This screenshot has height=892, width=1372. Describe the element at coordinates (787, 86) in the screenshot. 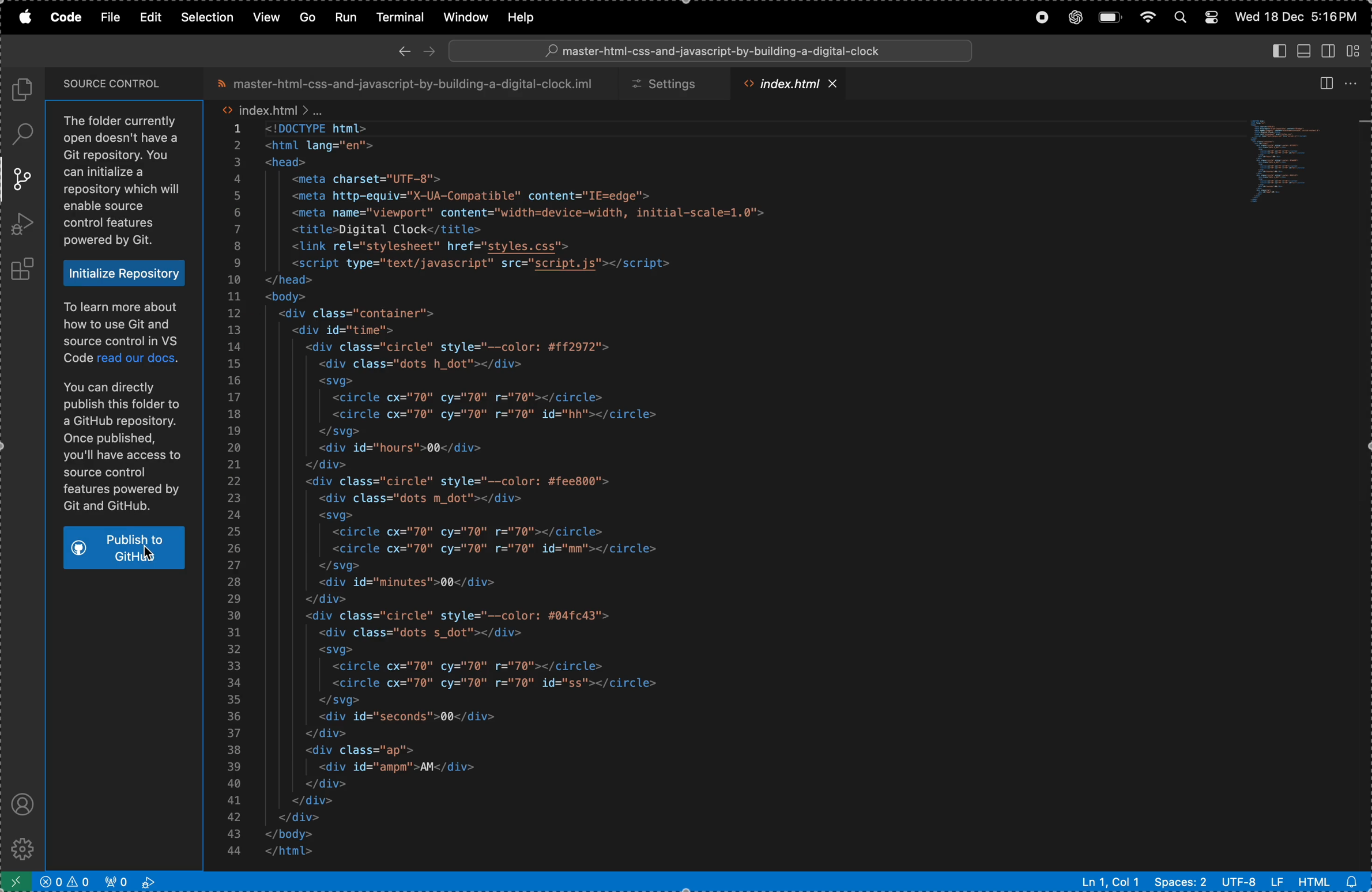

I see `index .html file` at that location.